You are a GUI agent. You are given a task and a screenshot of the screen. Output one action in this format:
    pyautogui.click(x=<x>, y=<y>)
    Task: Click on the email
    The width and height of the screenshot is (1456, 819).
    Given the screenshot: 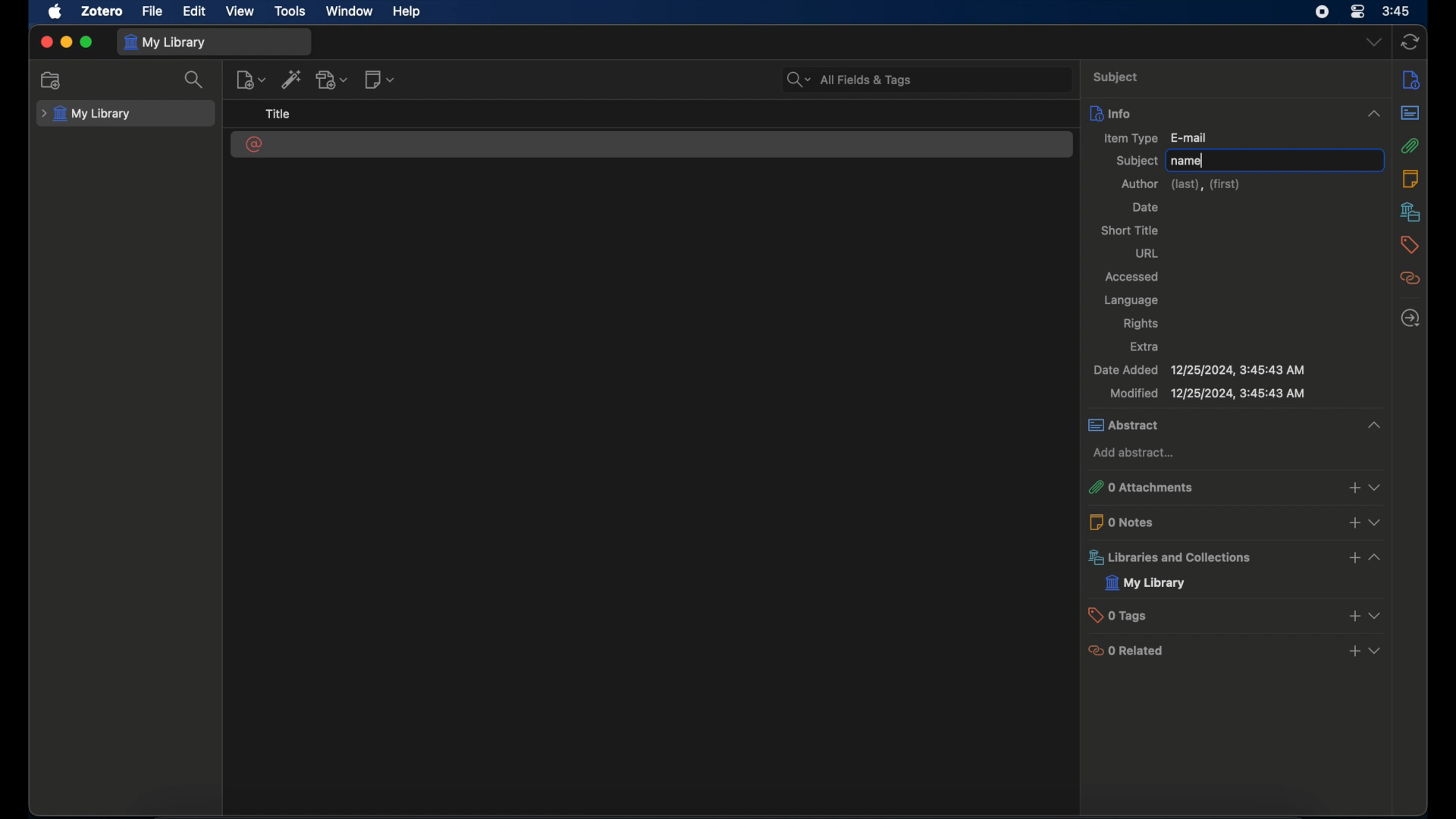 What is the action you would take?
    pyautogui.click(x=255, y=145)
    